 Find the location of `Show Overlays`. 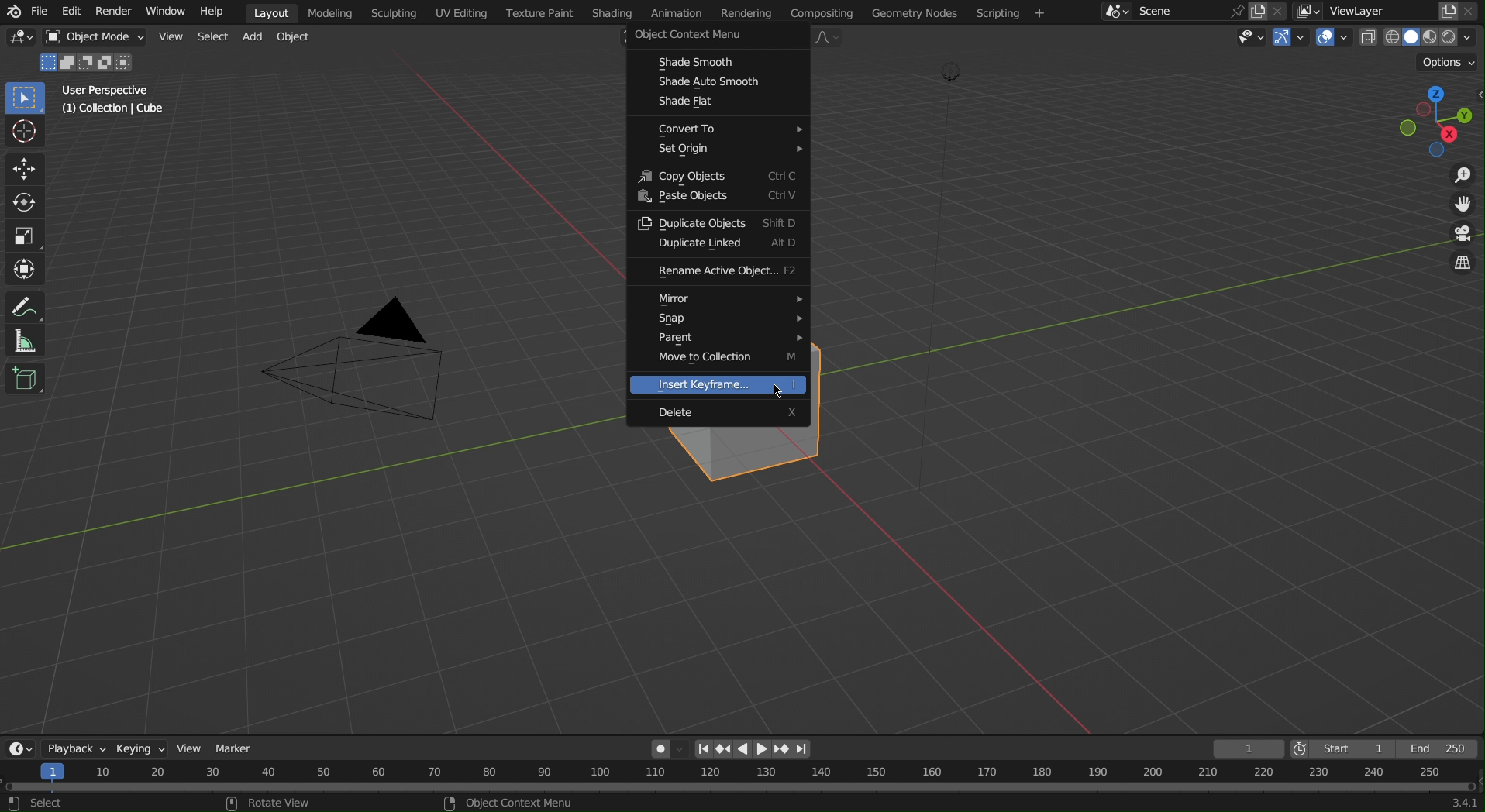

Show Overlays is located at coordinates (1331, 40).